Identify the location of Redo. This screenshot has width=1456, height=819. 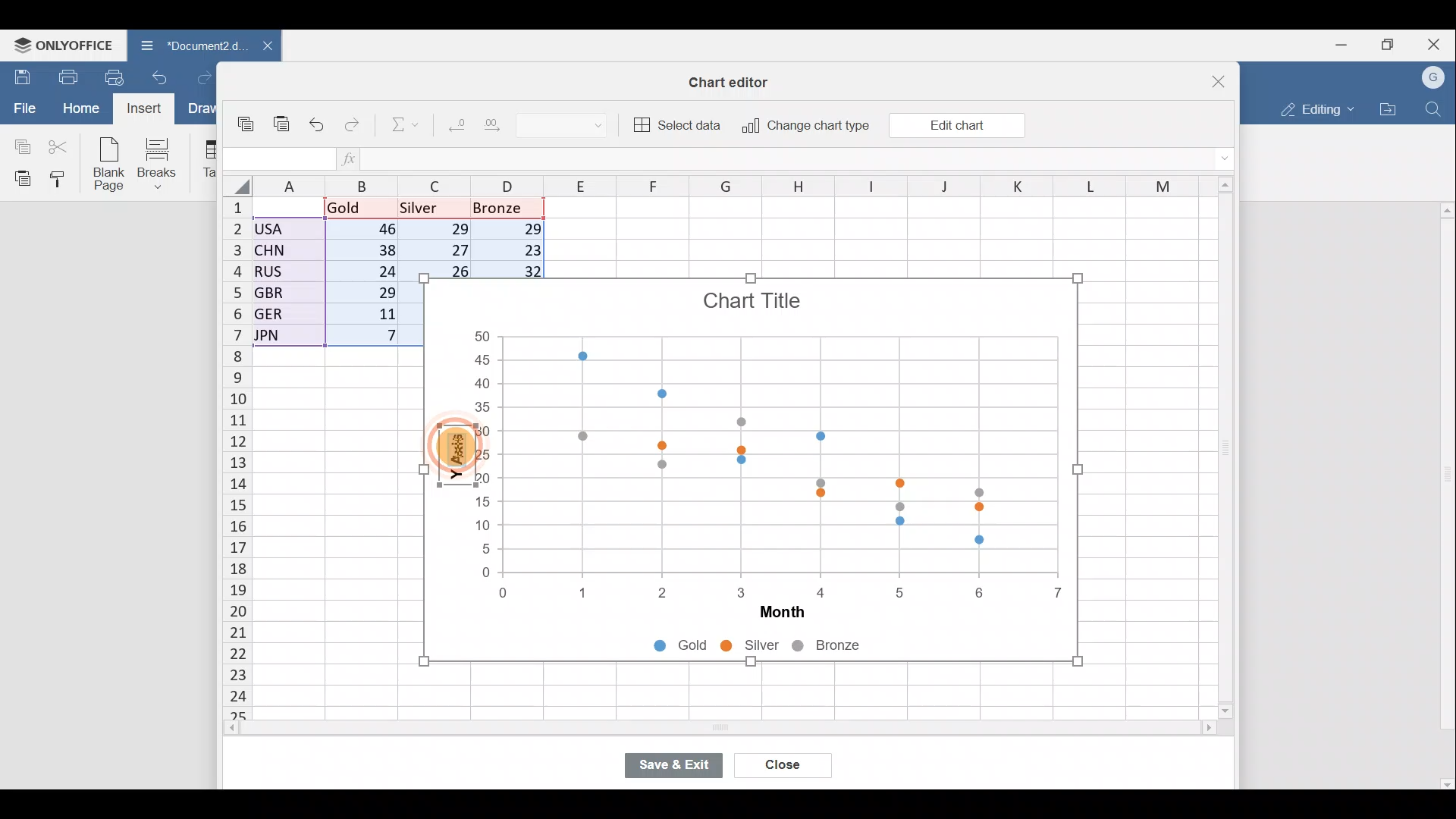
(355, 121).